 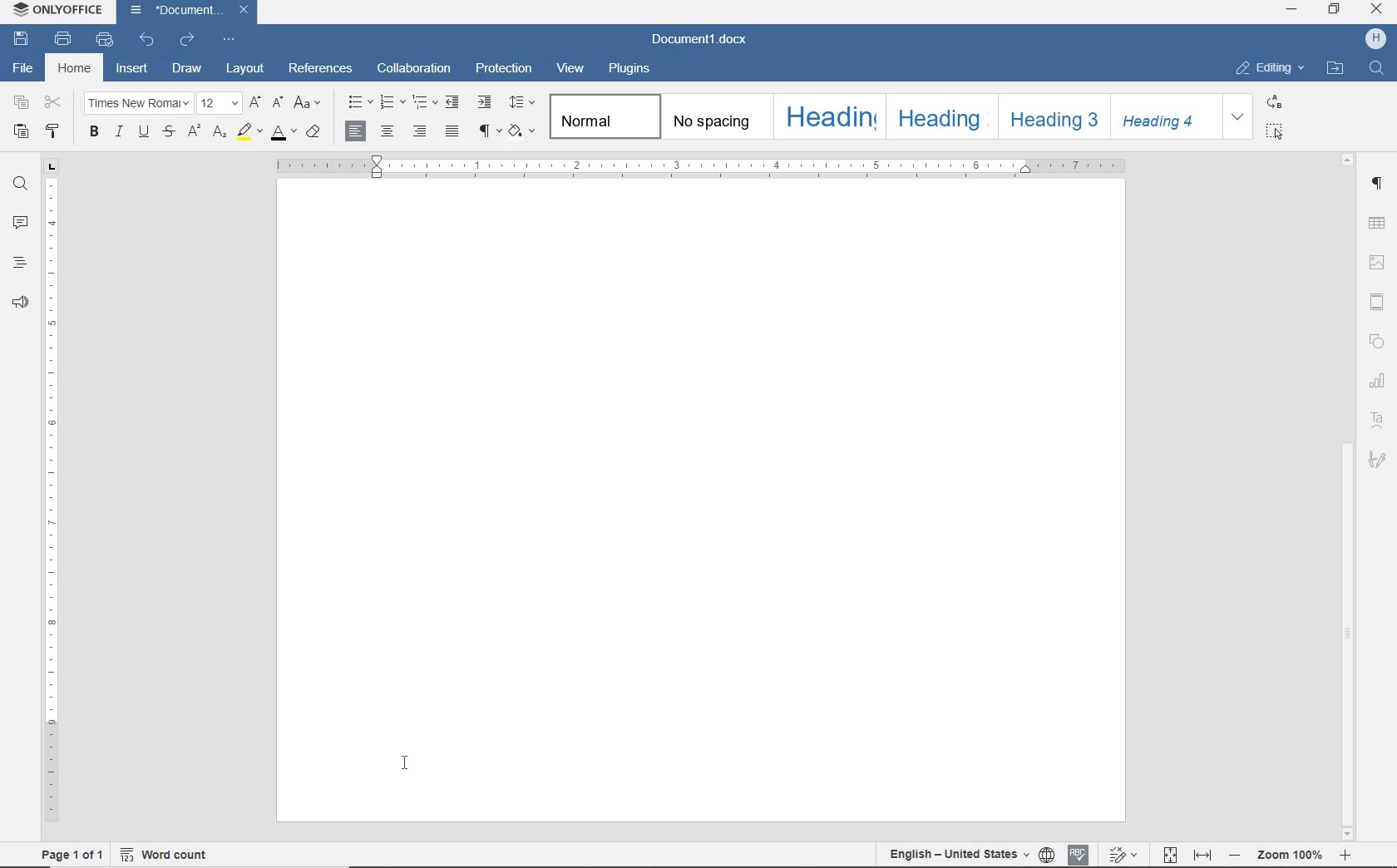 What do you see at coordinates (188, 40) in the screenshot?
I see `redo` at bounding box center [188, 40].